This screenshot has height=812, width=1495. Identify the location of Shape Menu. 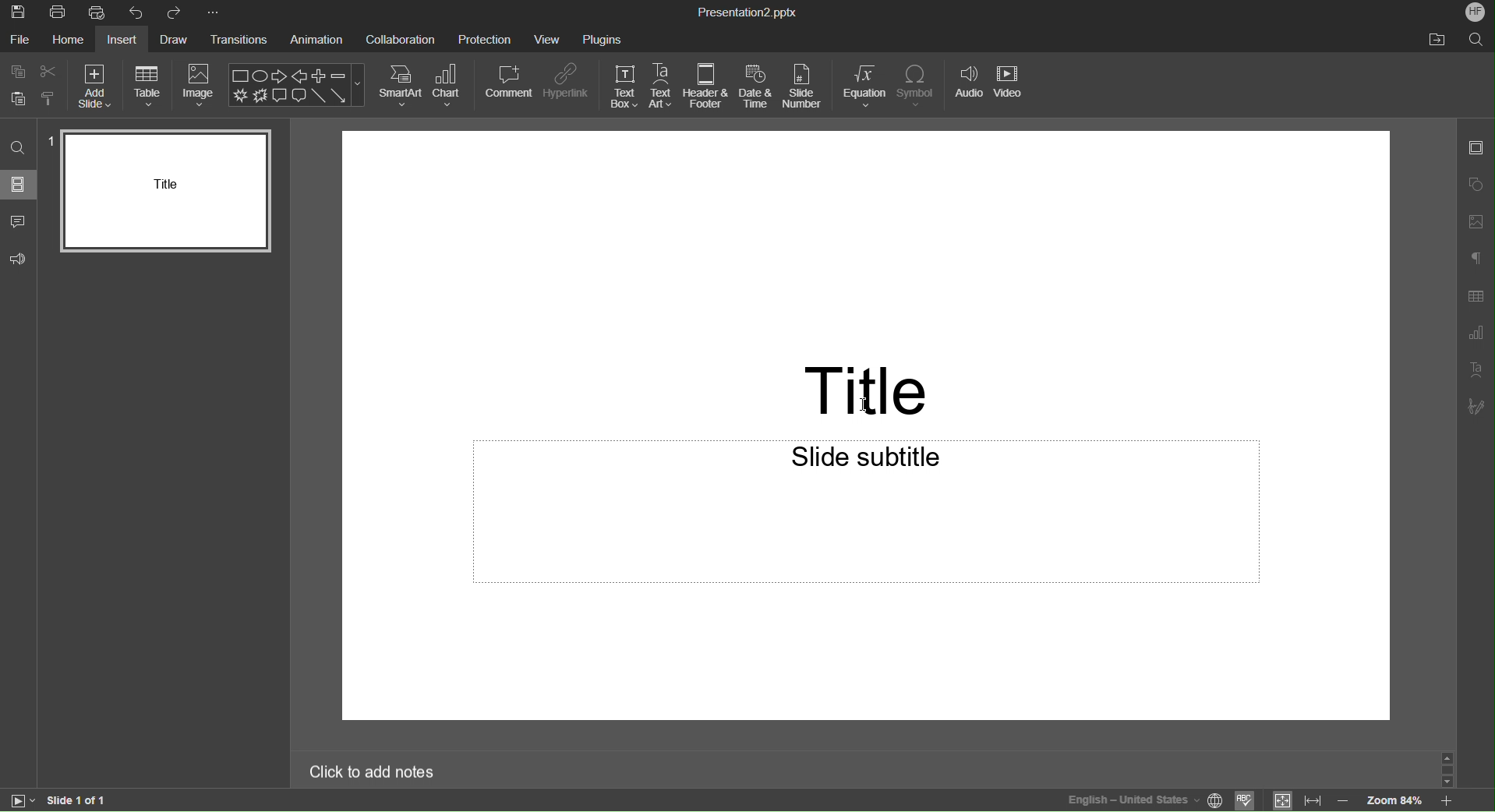
(296, 85).